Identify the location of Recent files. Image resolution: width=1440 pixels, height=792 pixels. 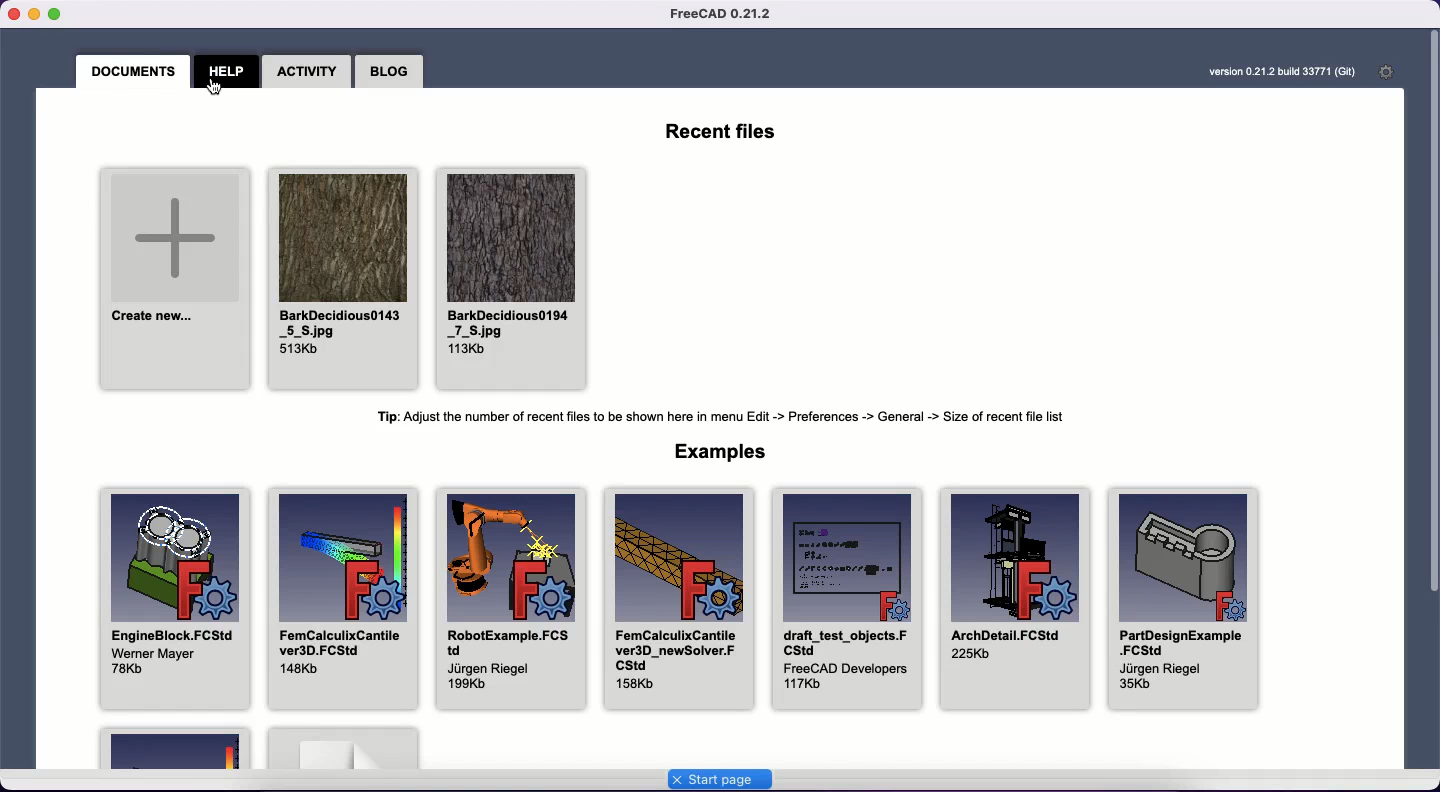
(718, 130).